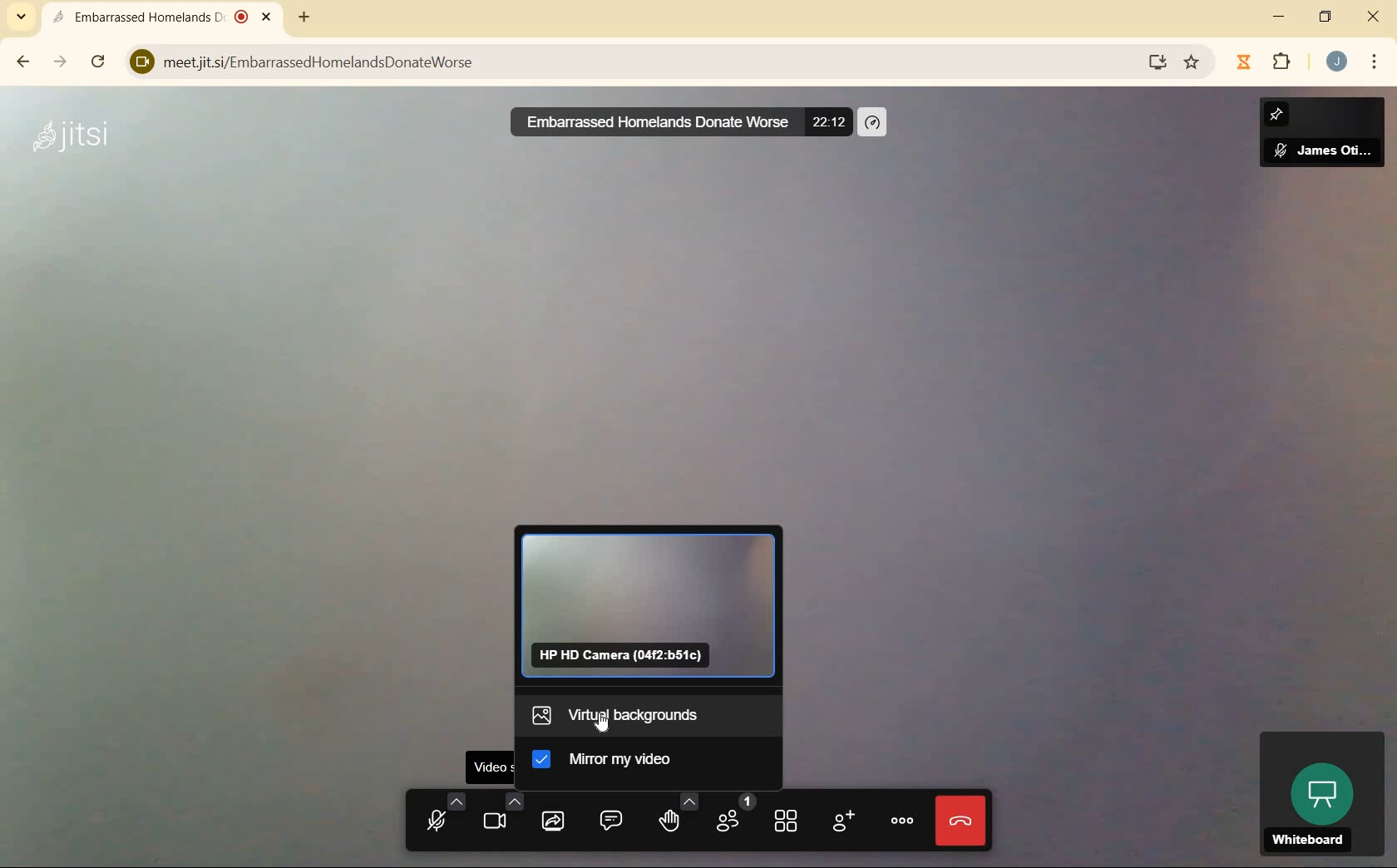 The image size is (1397, 868). What do you see at coordinates (1265, 62) in the screenshot?
I see `extensions` at bounding box center [1265, 62].